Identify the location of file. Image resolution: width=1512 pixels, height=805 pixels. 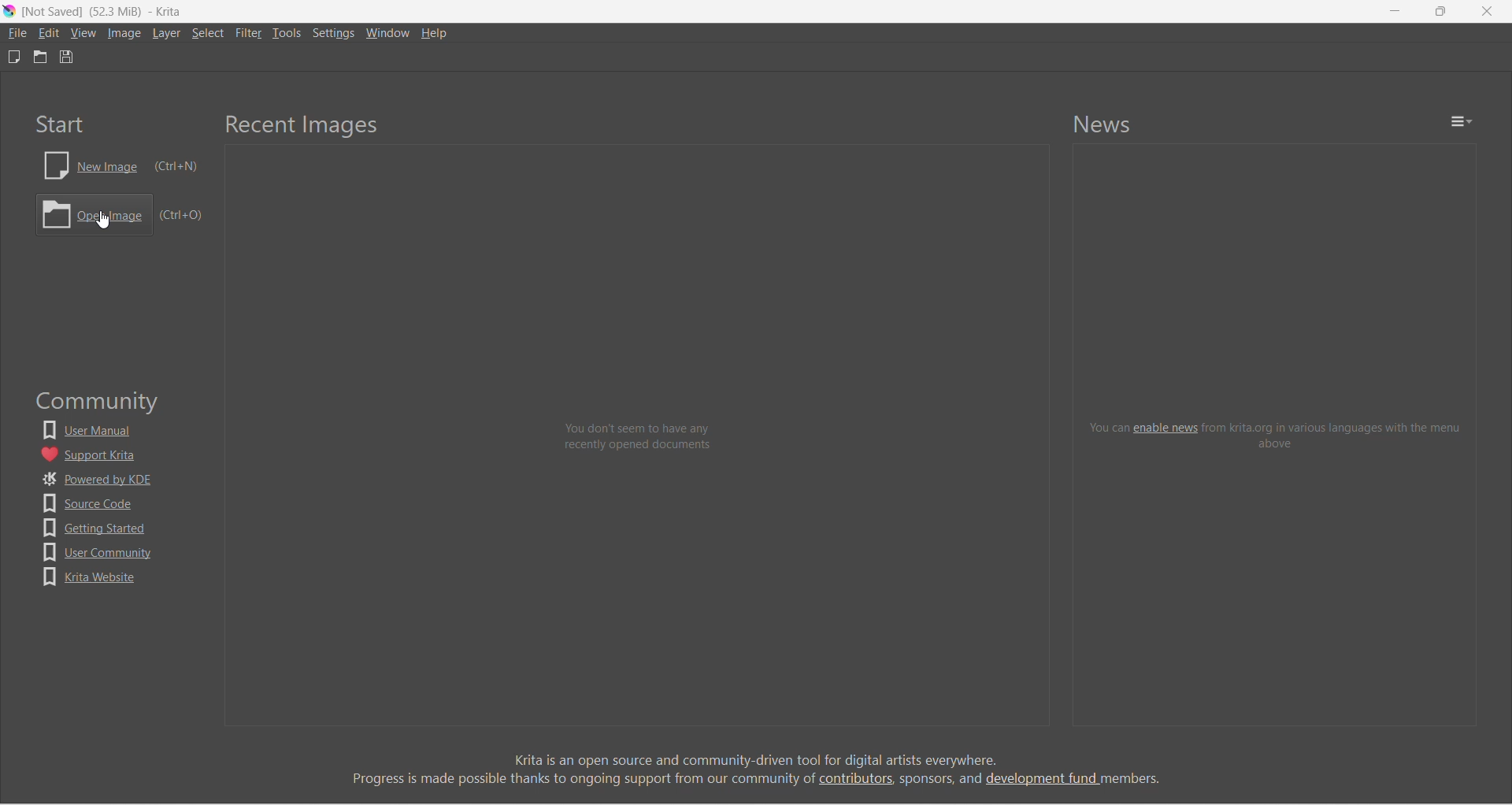
(17, 33).